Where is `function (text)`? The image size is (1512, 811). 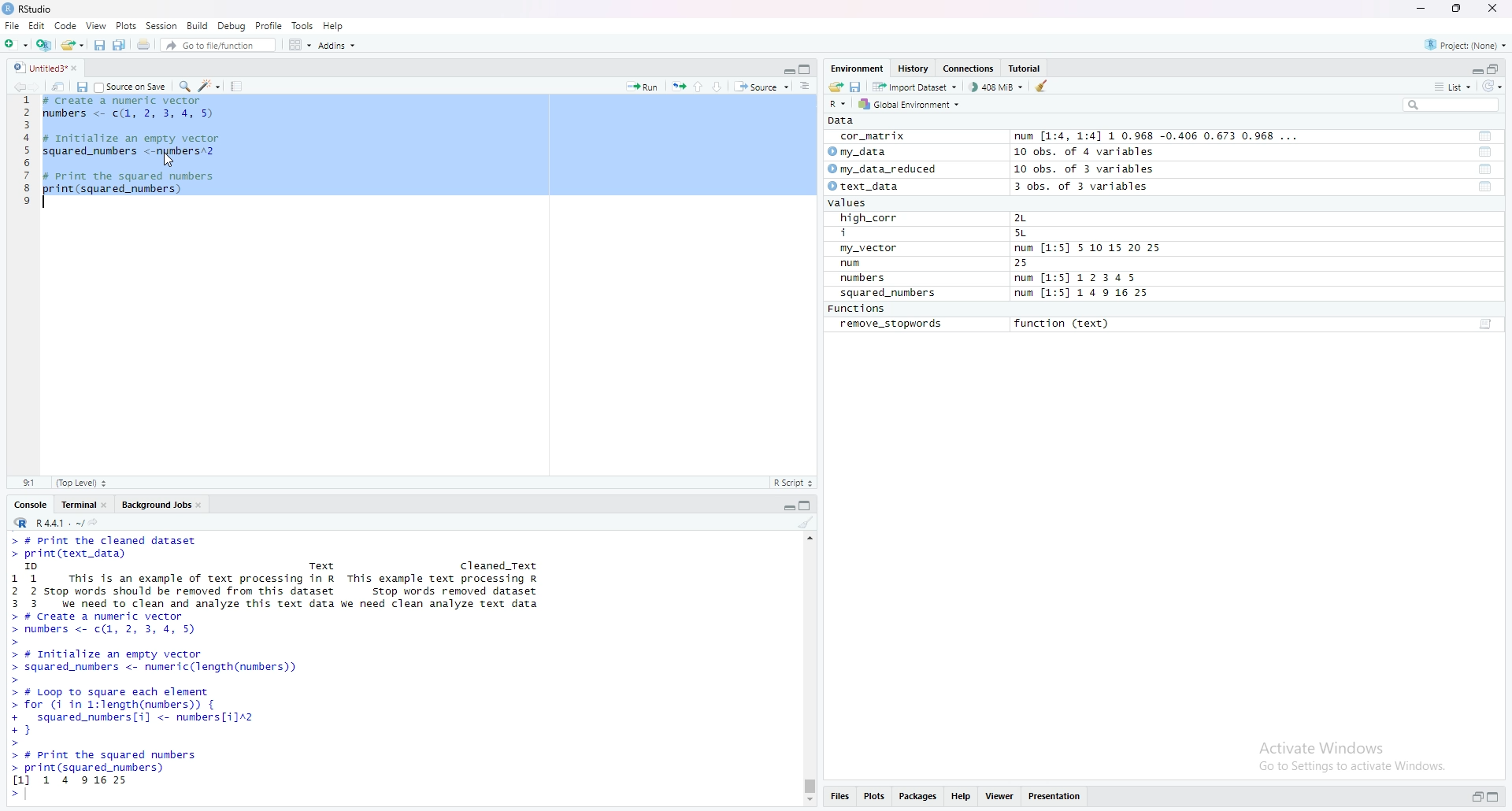 function (text) is located at coordinates (1064, 324).